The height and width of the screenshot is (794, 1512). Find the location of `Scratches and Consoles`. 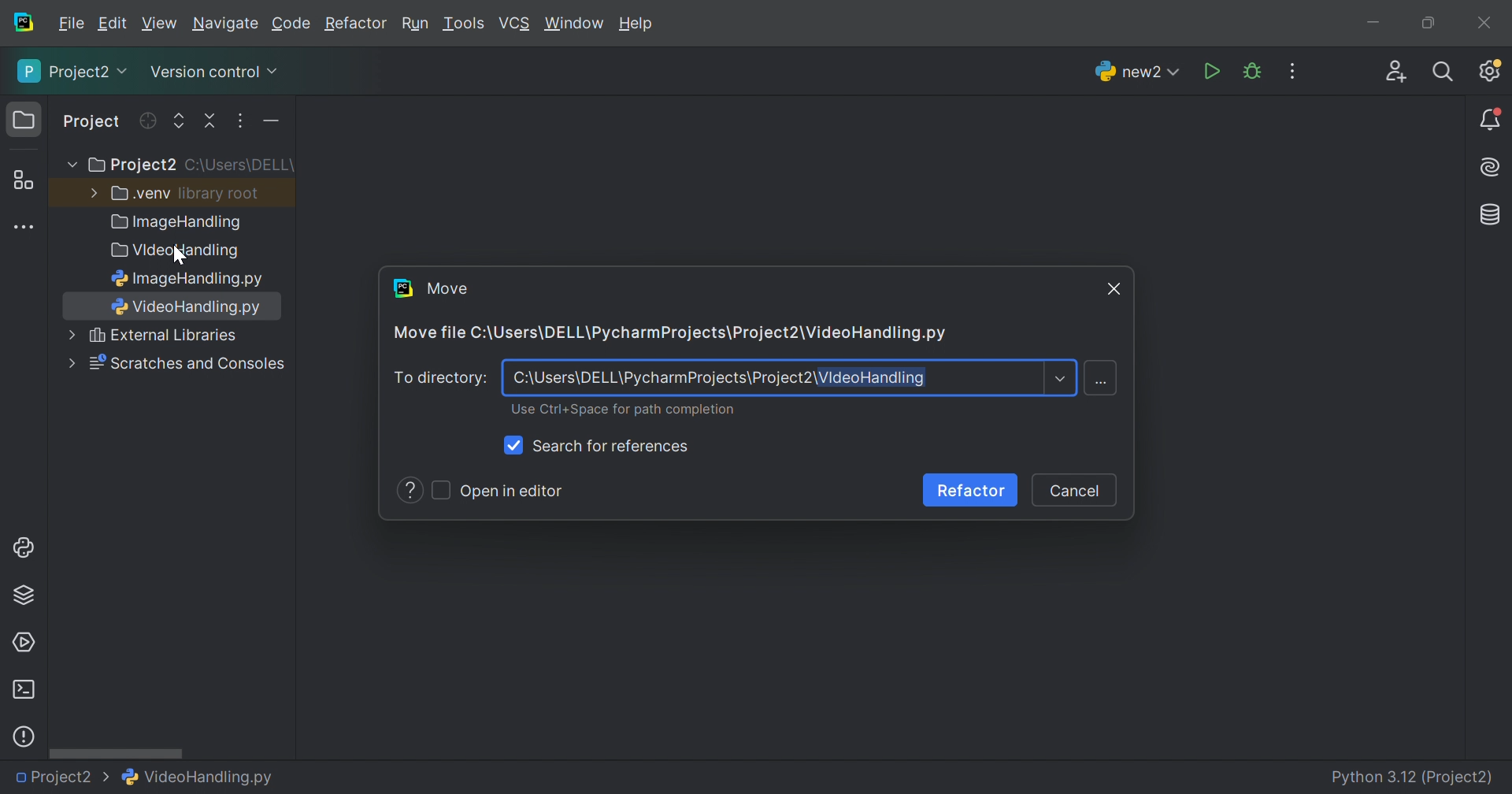

Scratches and Consoles is located at coordinates (187, 364).